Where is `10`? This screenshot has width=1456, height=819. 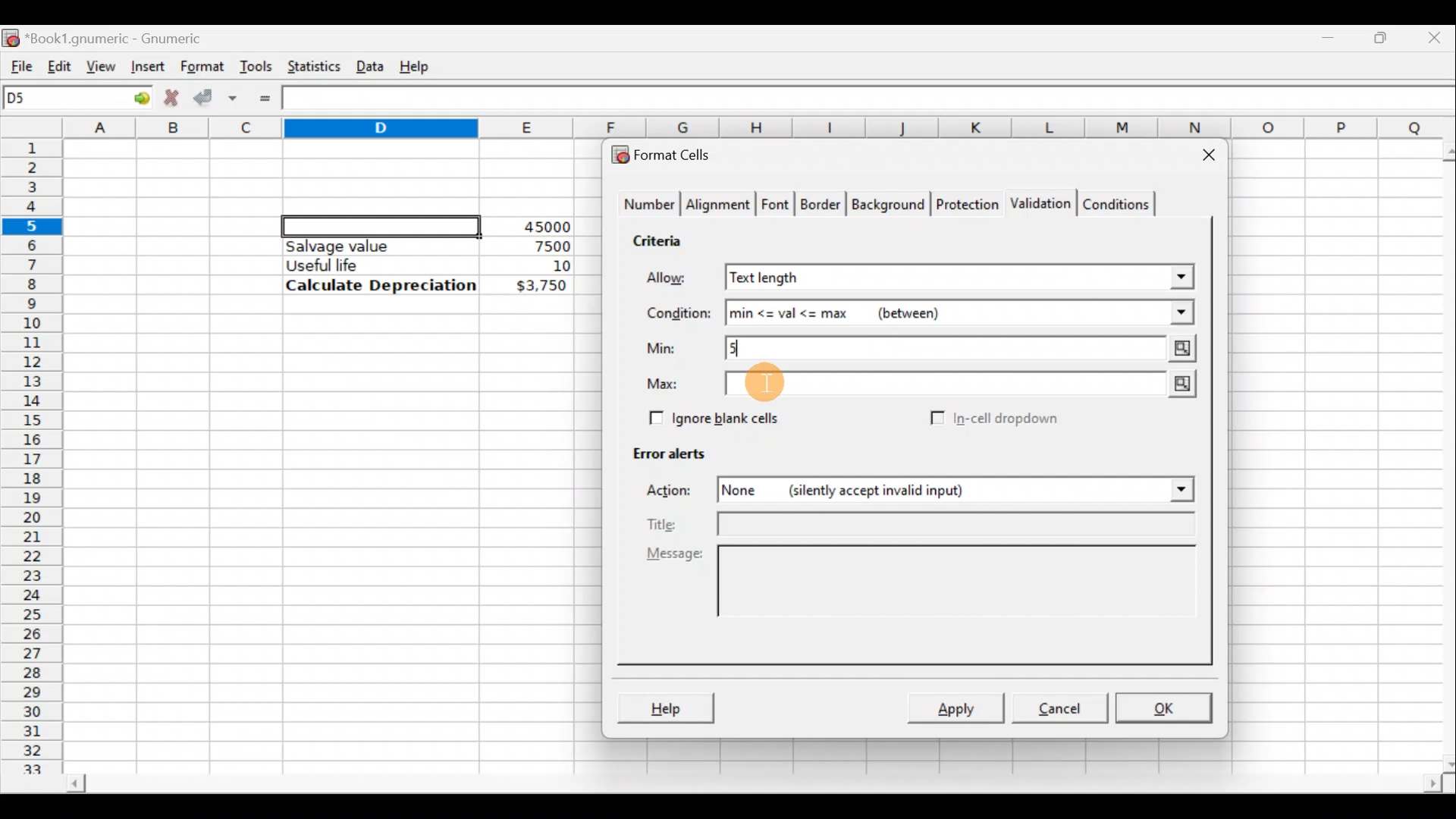 10 is located at coordinates (543, 266).